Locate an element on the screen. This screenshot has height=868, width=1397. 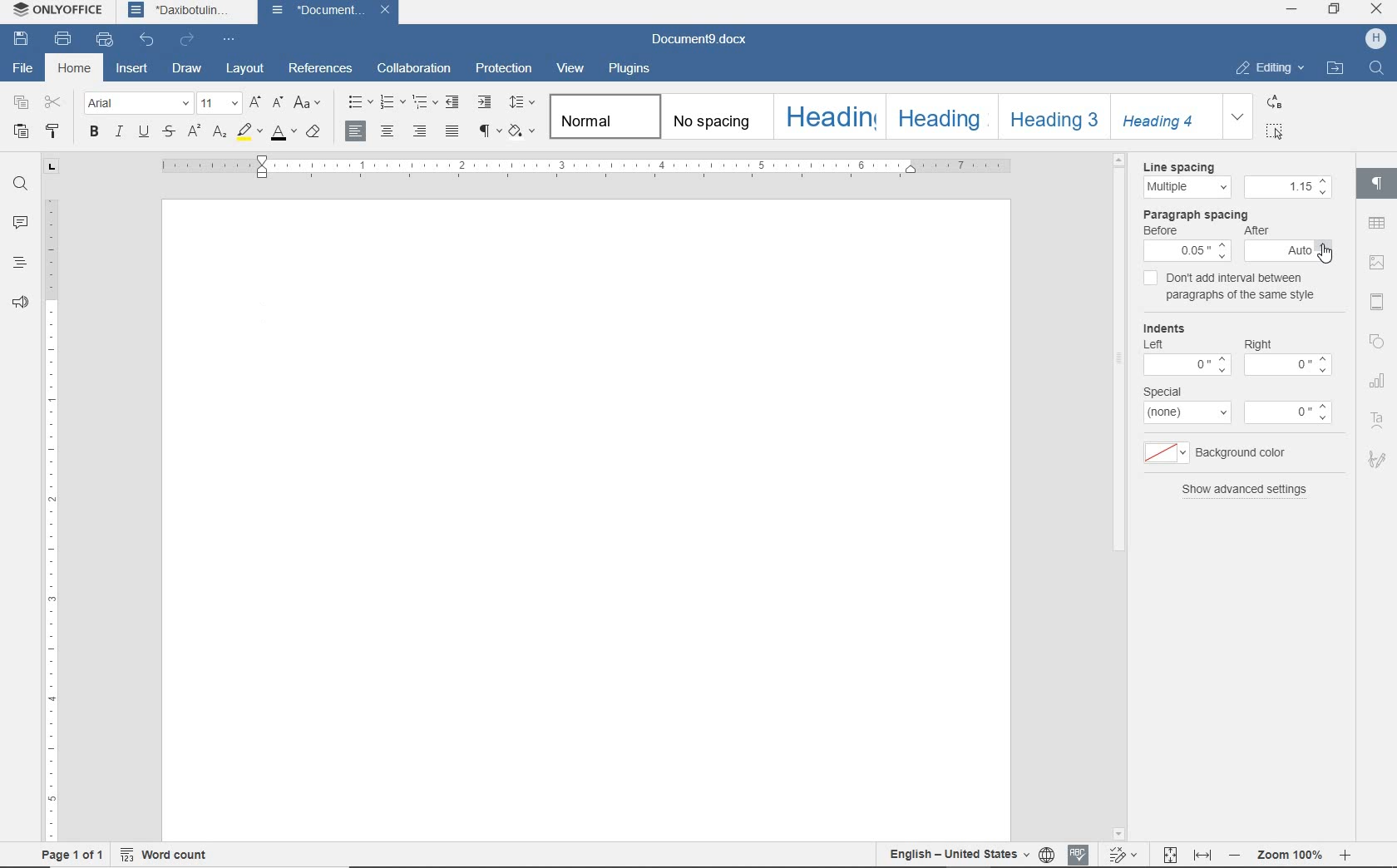
HP is located at coordinates (1375, 39).